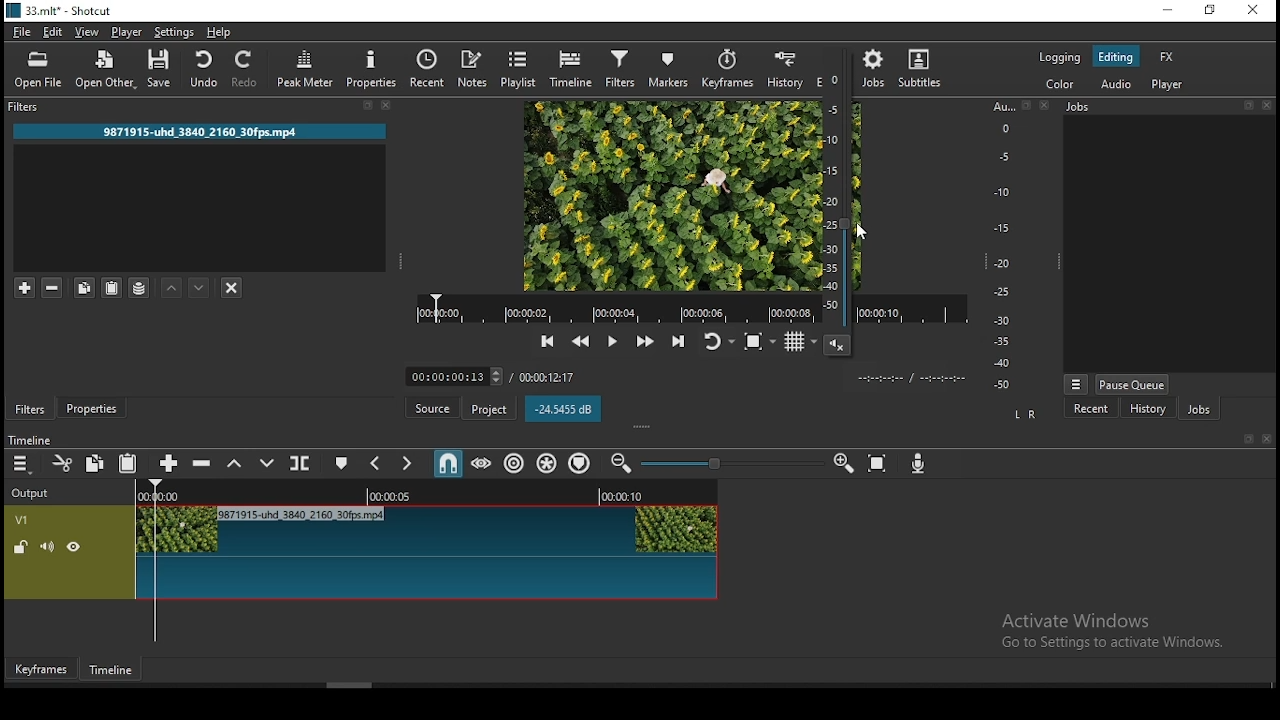  I want to click on logging, so click(1063, 58).